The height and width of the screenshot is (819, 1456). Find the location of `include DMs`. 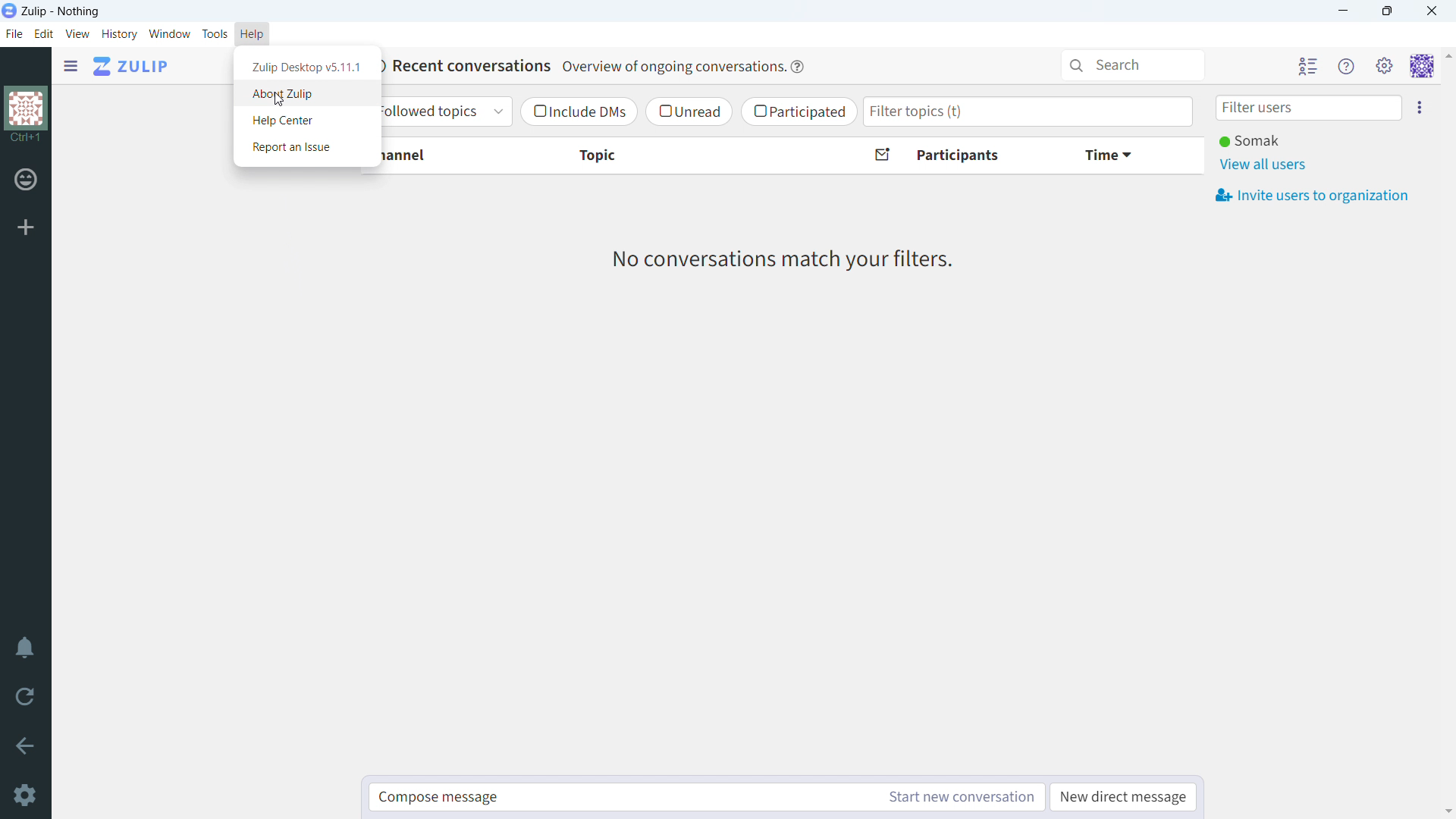

include DMs is located at coordinates (578, 112).